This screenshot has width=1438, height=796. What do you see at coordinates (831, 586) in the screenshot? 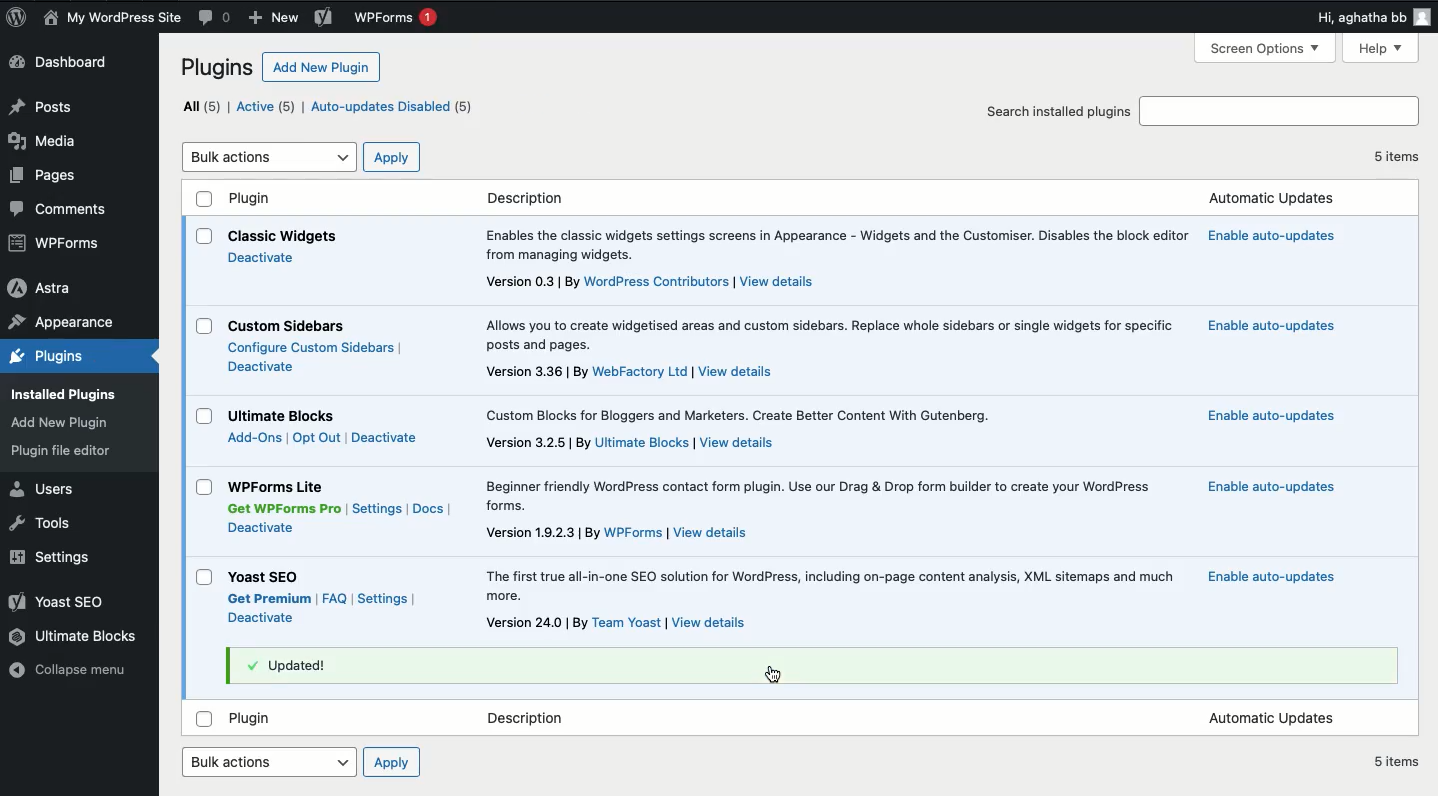
I see `Description` at bounding box center [831, 586].